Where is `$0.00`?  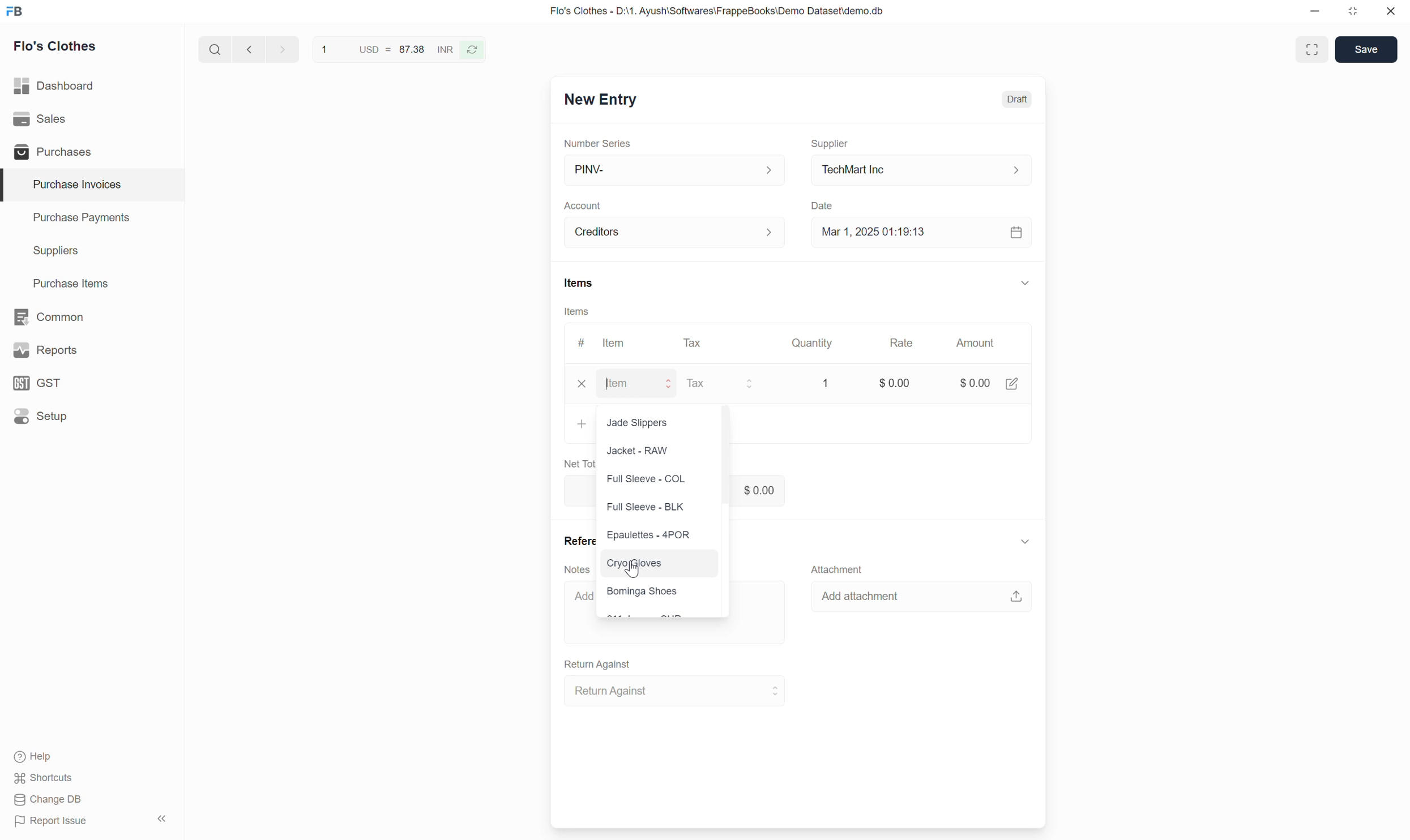
$0.00 is located at coordinates (975, 382).